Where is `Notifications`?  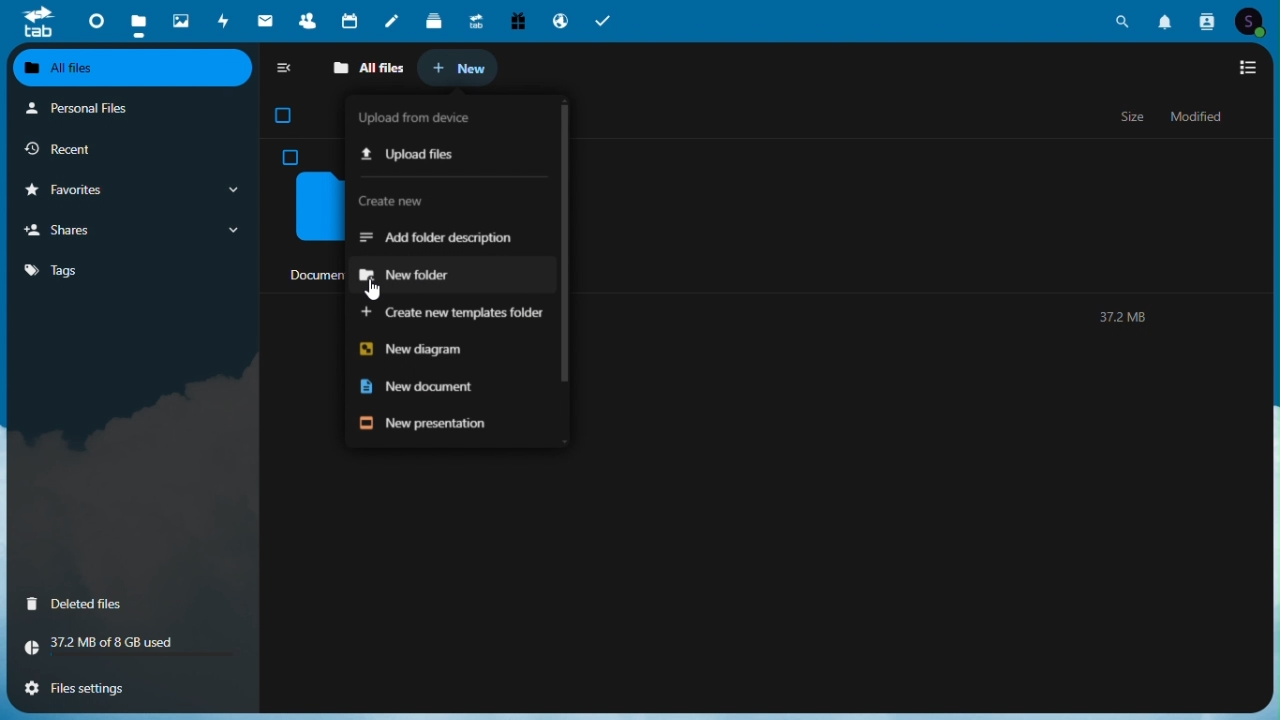
Notifications is located at coordinates (1167, 21).